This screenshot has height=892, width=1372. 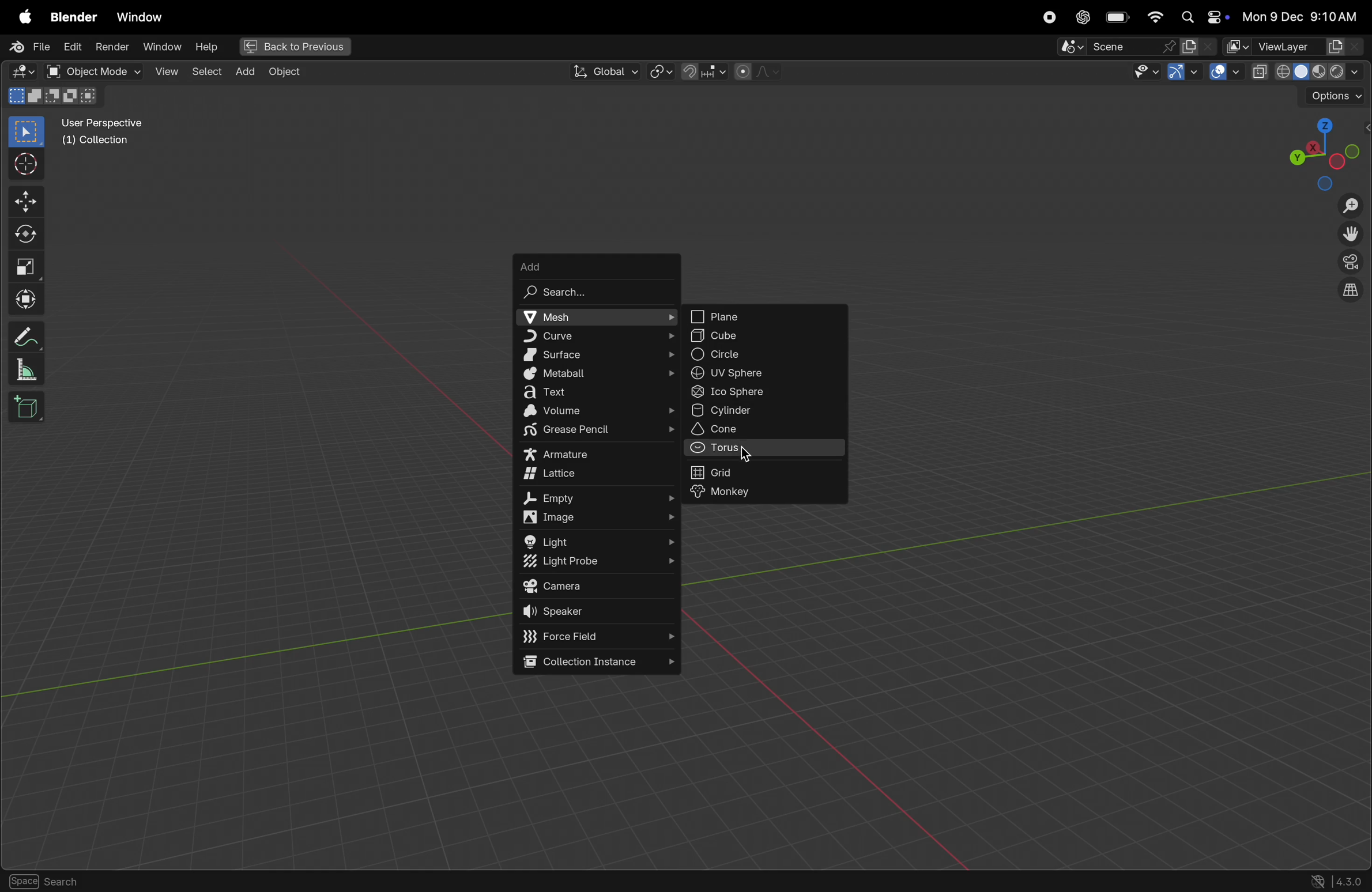 I want to click on view, so click(x=166, y=71).